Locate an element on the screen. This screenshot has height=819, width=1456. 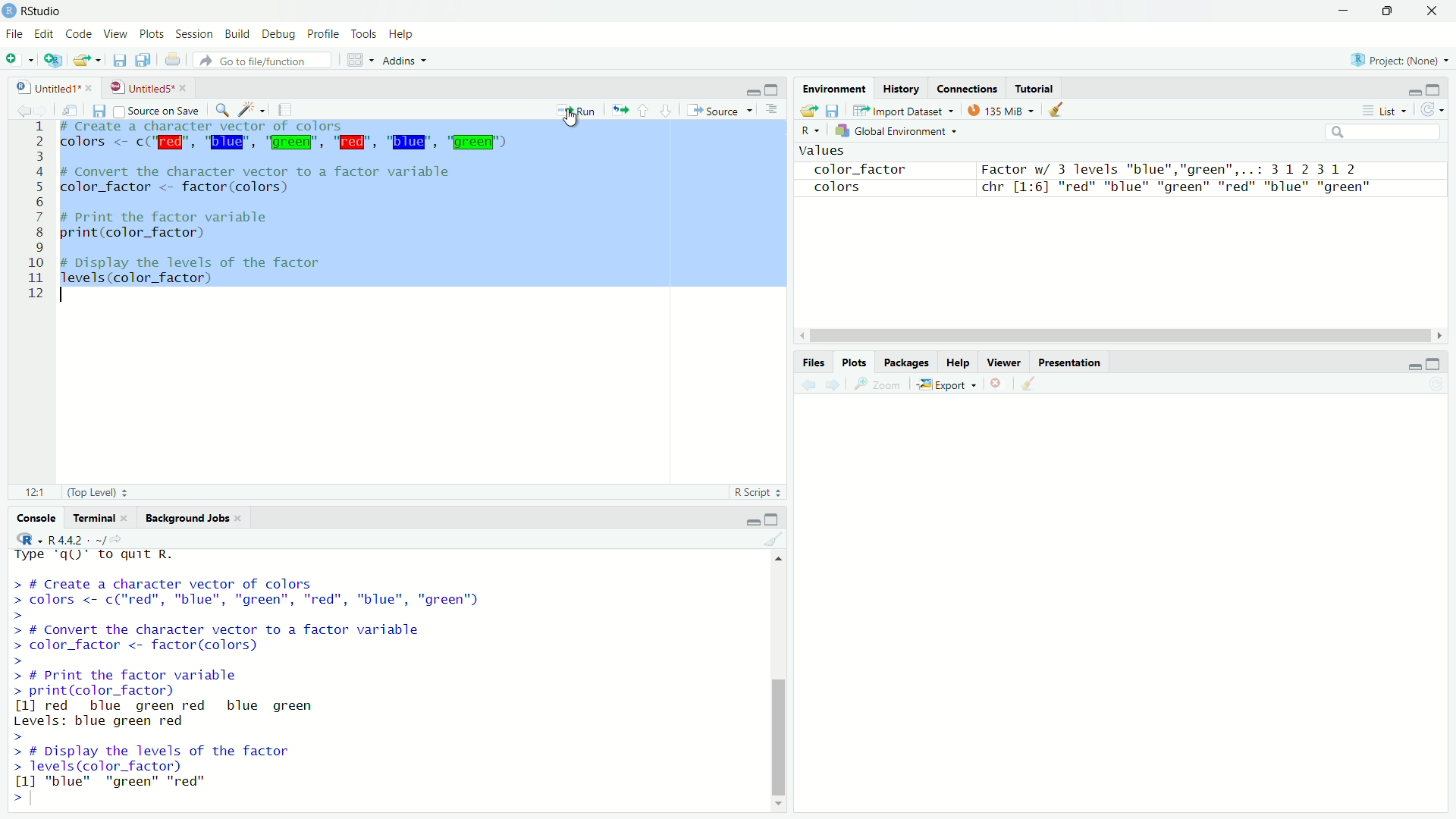
source on save is located at coordinates (160, 110).